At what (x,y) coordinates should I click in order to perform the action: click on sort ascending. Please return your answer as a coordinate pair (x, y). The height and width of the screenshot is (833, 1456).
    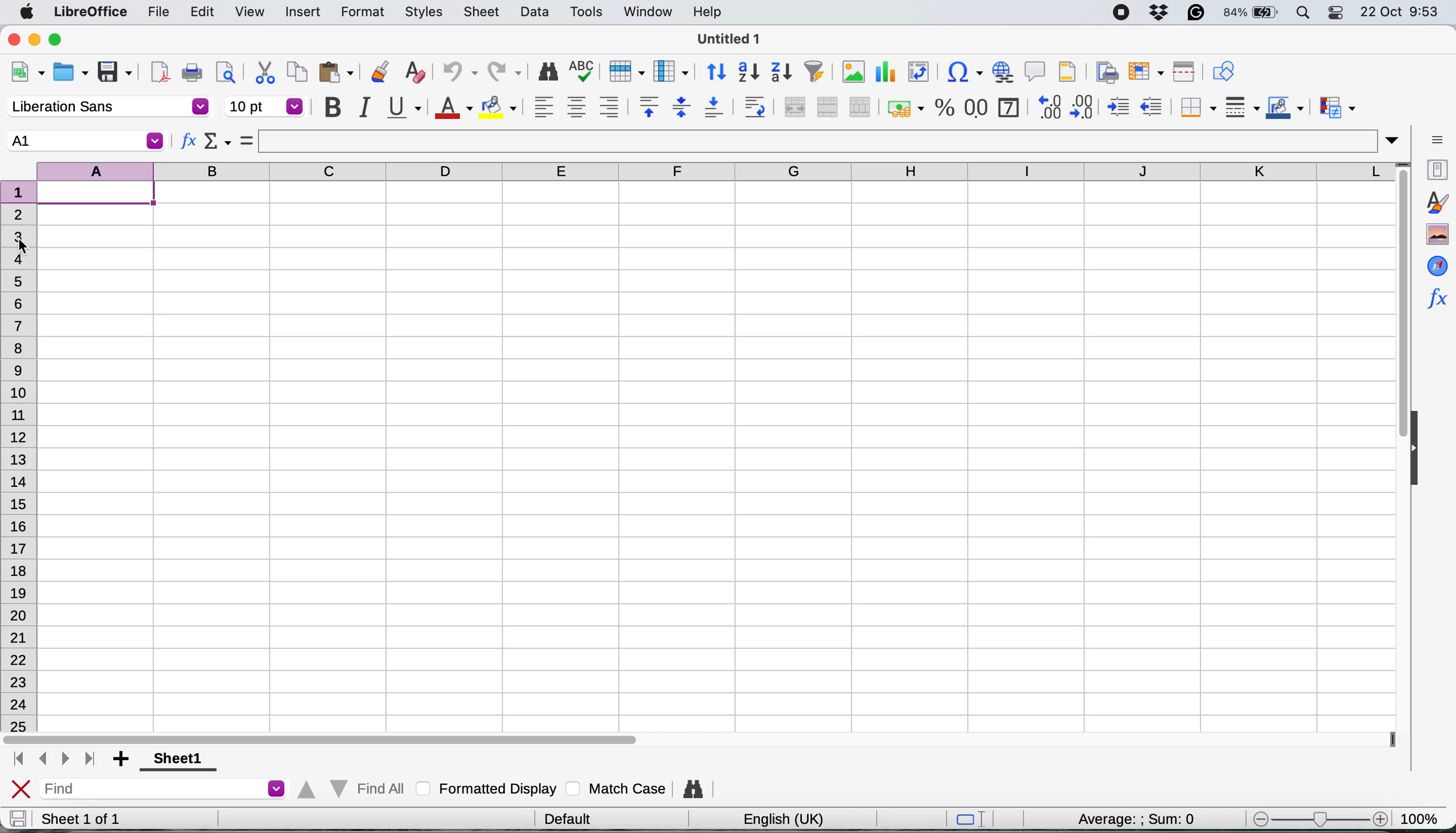
    Looking at the image, I should click on (749, 73).